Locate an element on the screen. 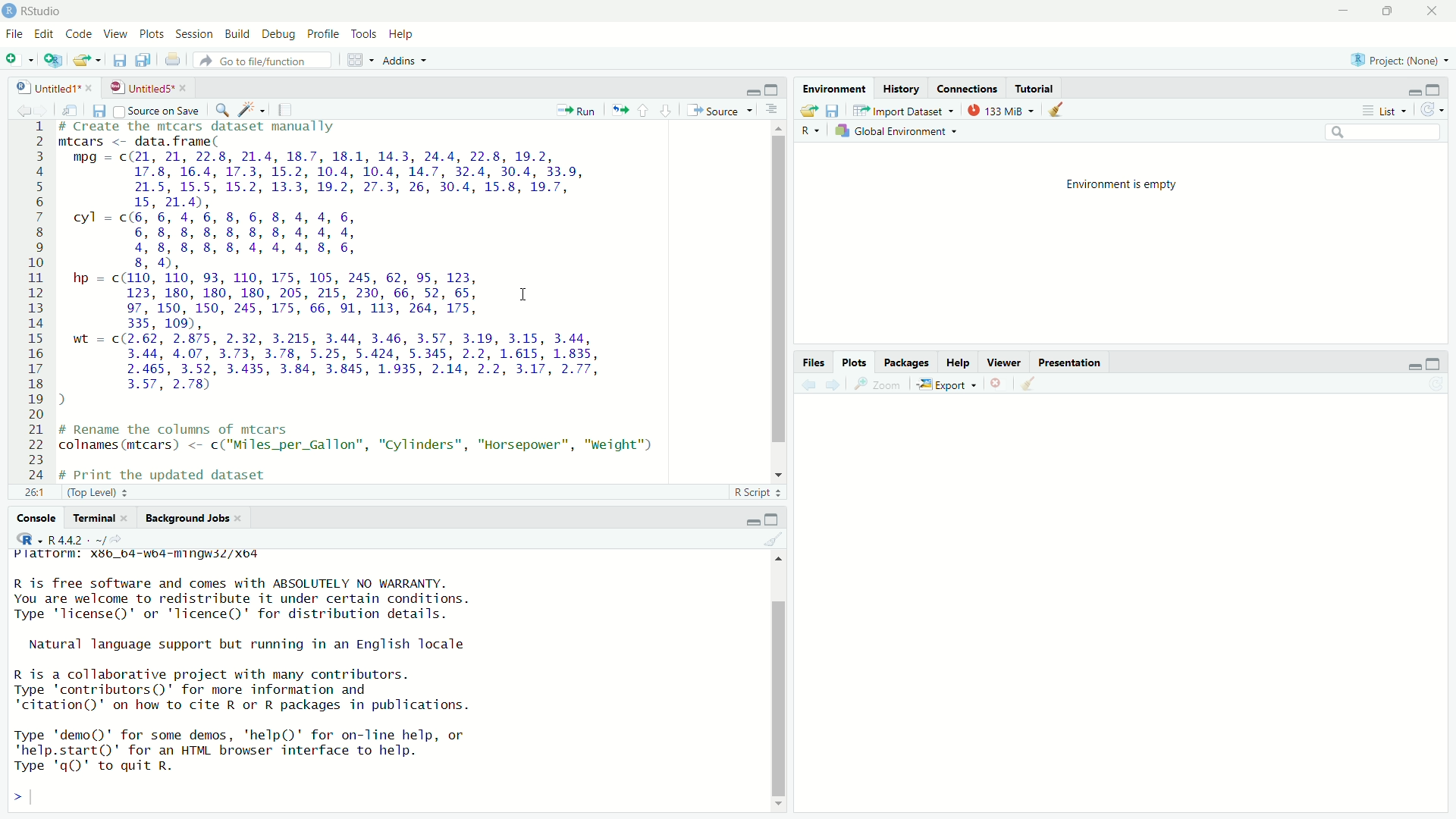 Image resolution: width=1456 pixels, height=819 pixels. refresh is located at coordinates (1435, 110).